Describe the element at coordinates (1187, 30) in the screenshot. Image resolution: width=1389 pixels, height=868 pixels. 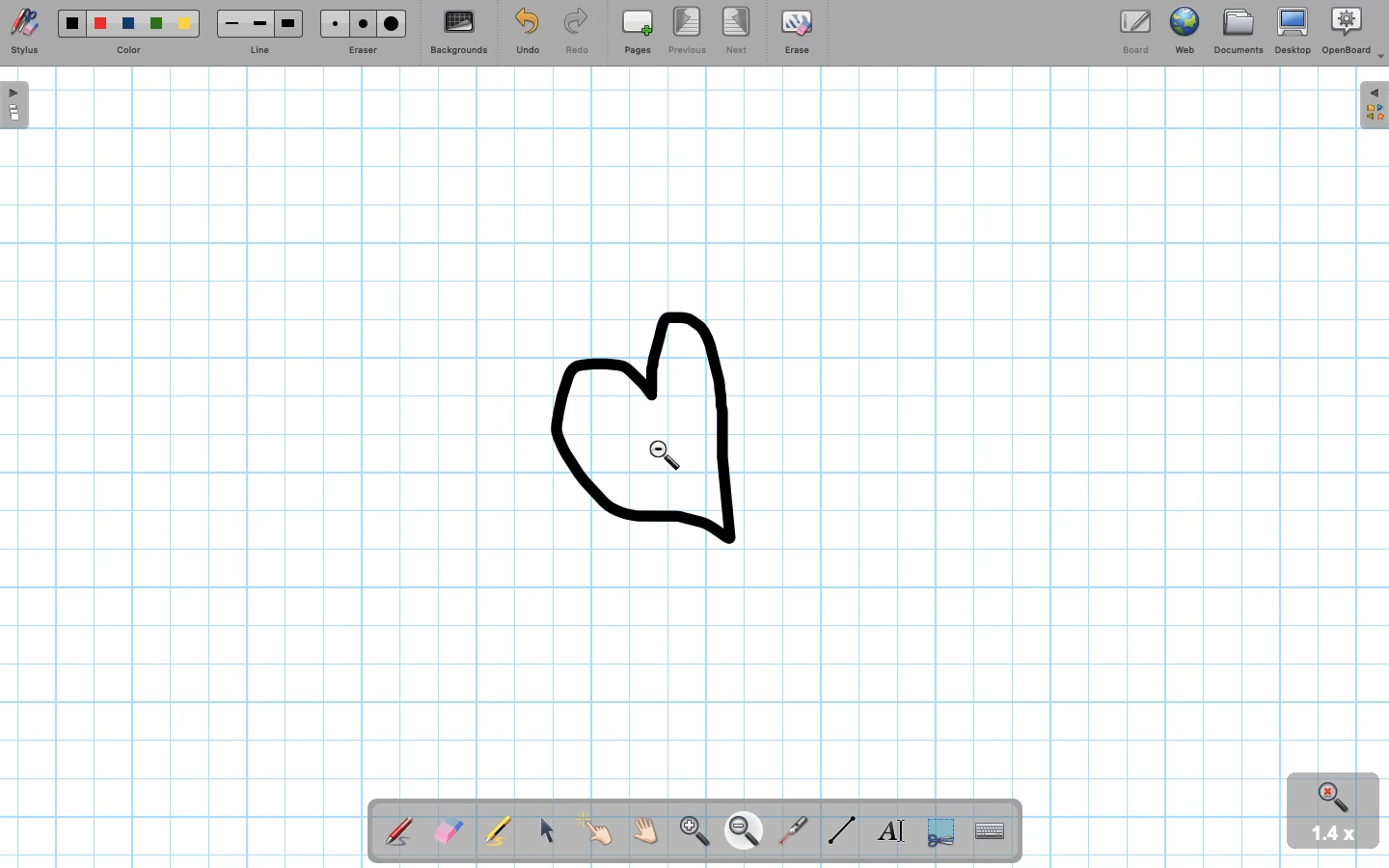
I see `Web` at that location.